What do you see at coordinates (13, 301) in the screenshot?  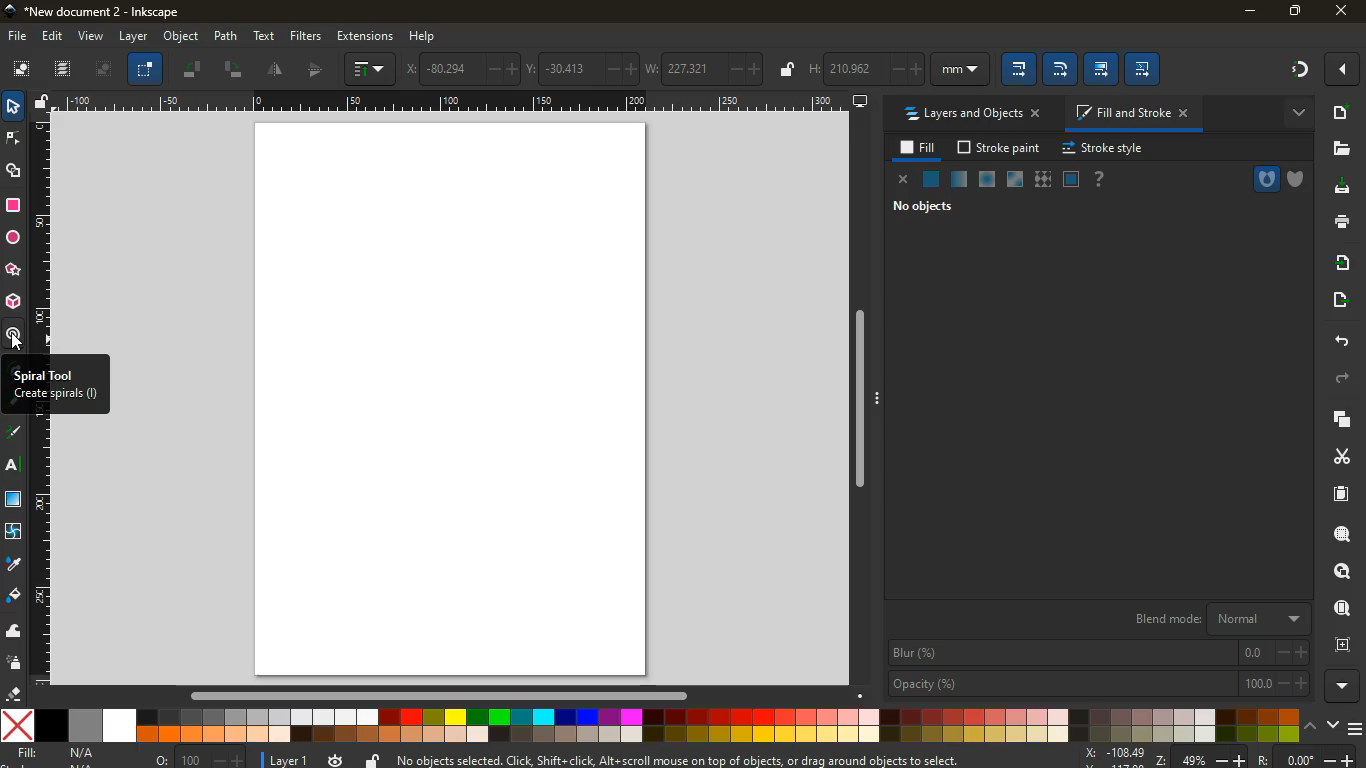 I see `3d tool box` at bounding box center [13, 301].